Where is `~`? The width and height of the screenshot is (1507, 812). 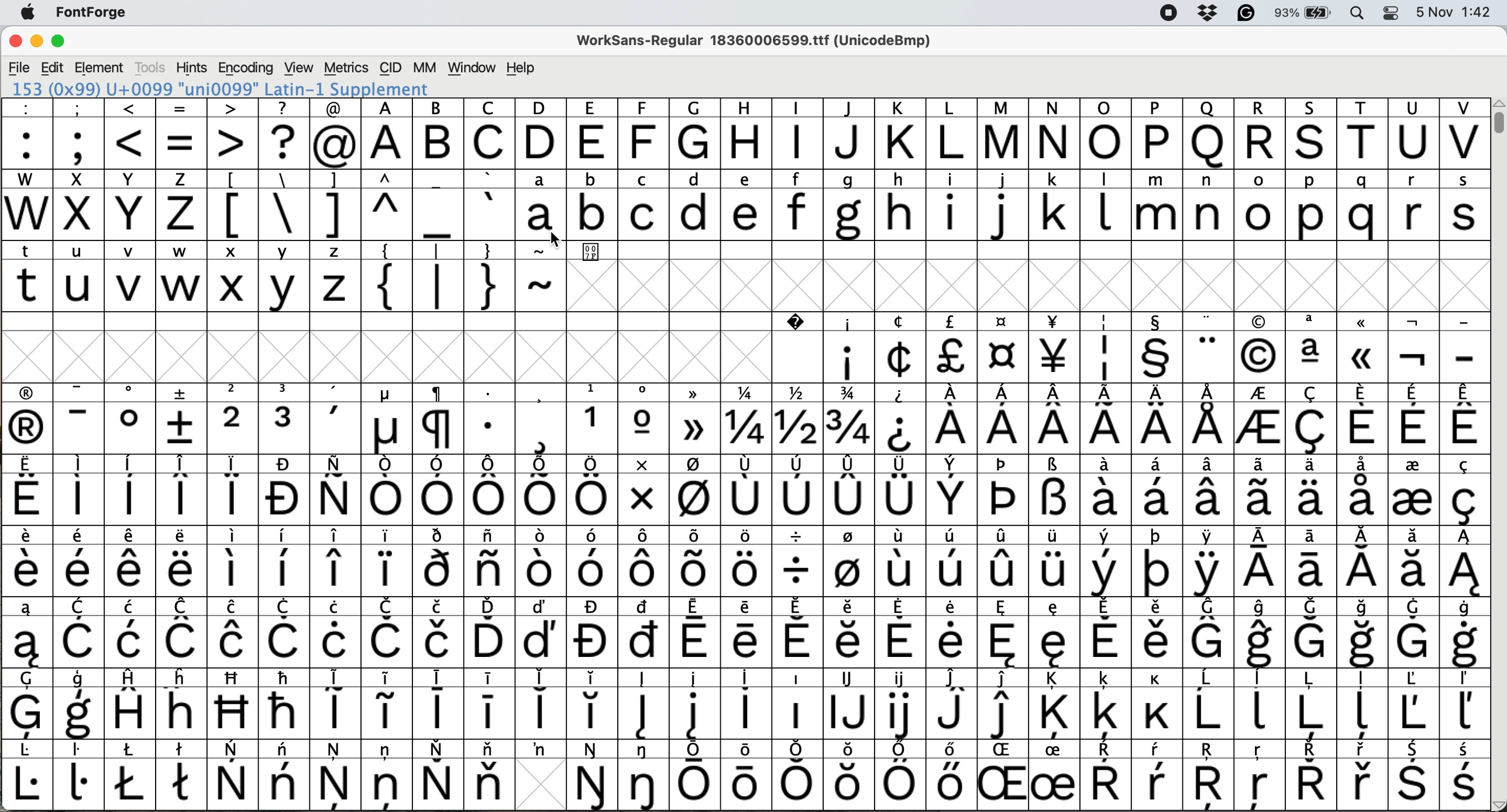
~ is located at coordinates (541, 277).